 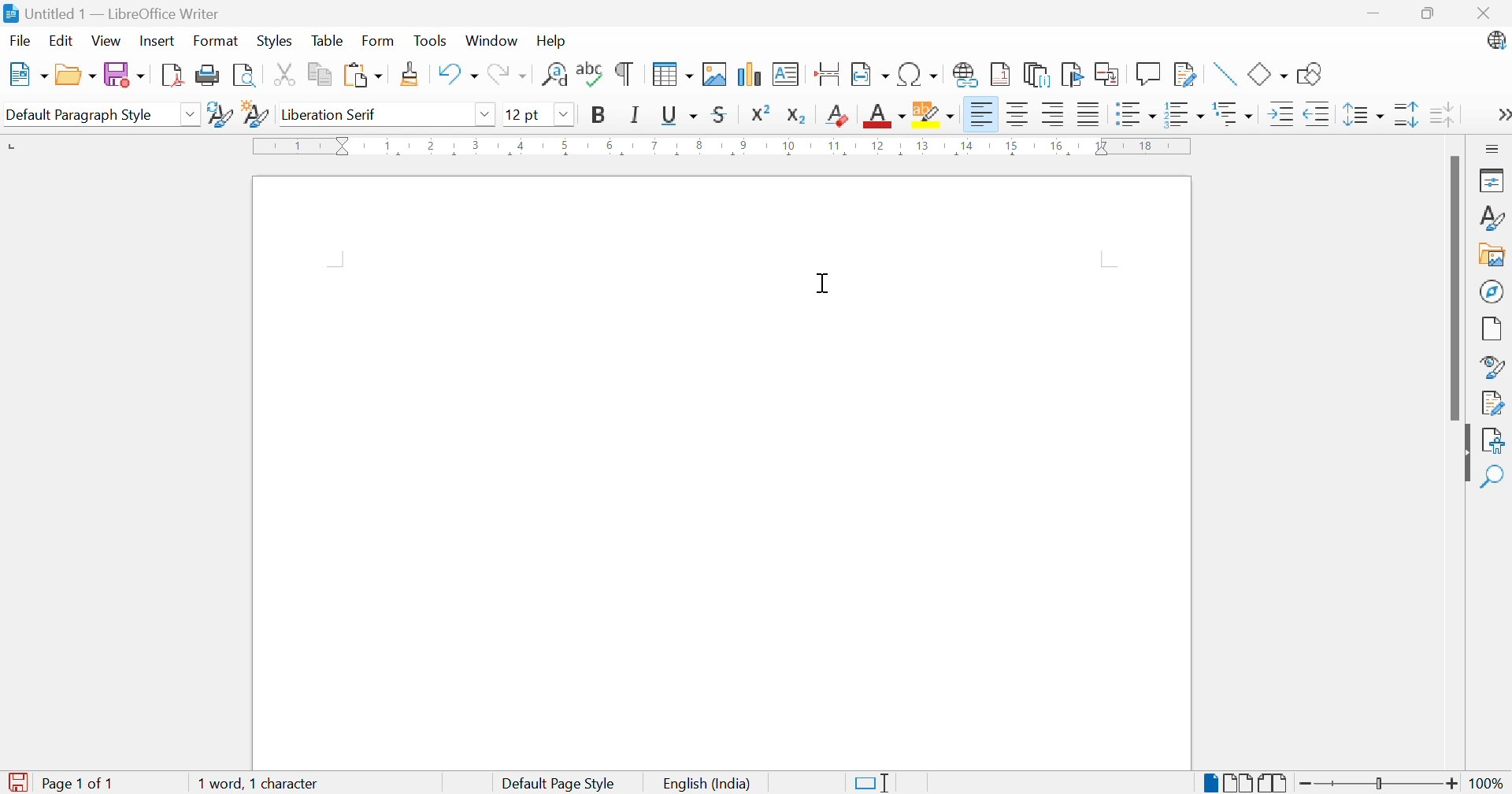 I want to click on Scroll Bar, so click(x=1452, y=288).